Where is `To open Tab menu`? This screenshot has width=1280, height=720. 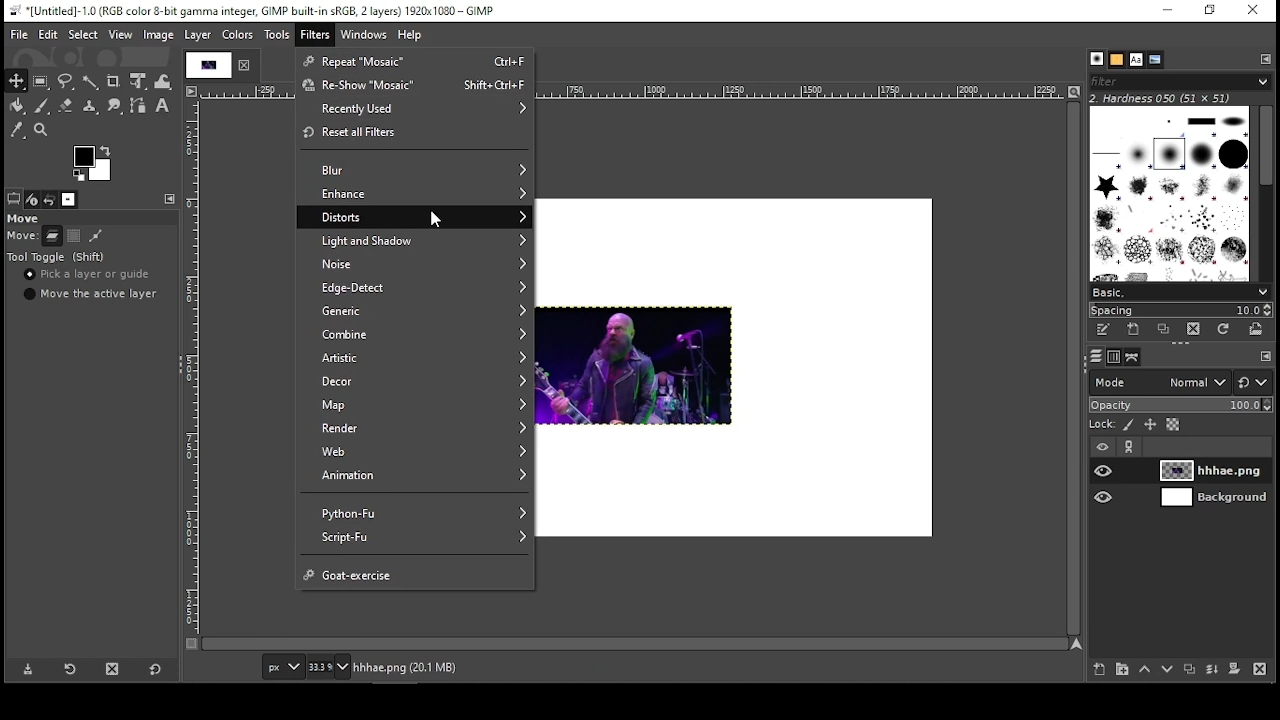 To open Tab menu is located at coordinates (1265, 357).